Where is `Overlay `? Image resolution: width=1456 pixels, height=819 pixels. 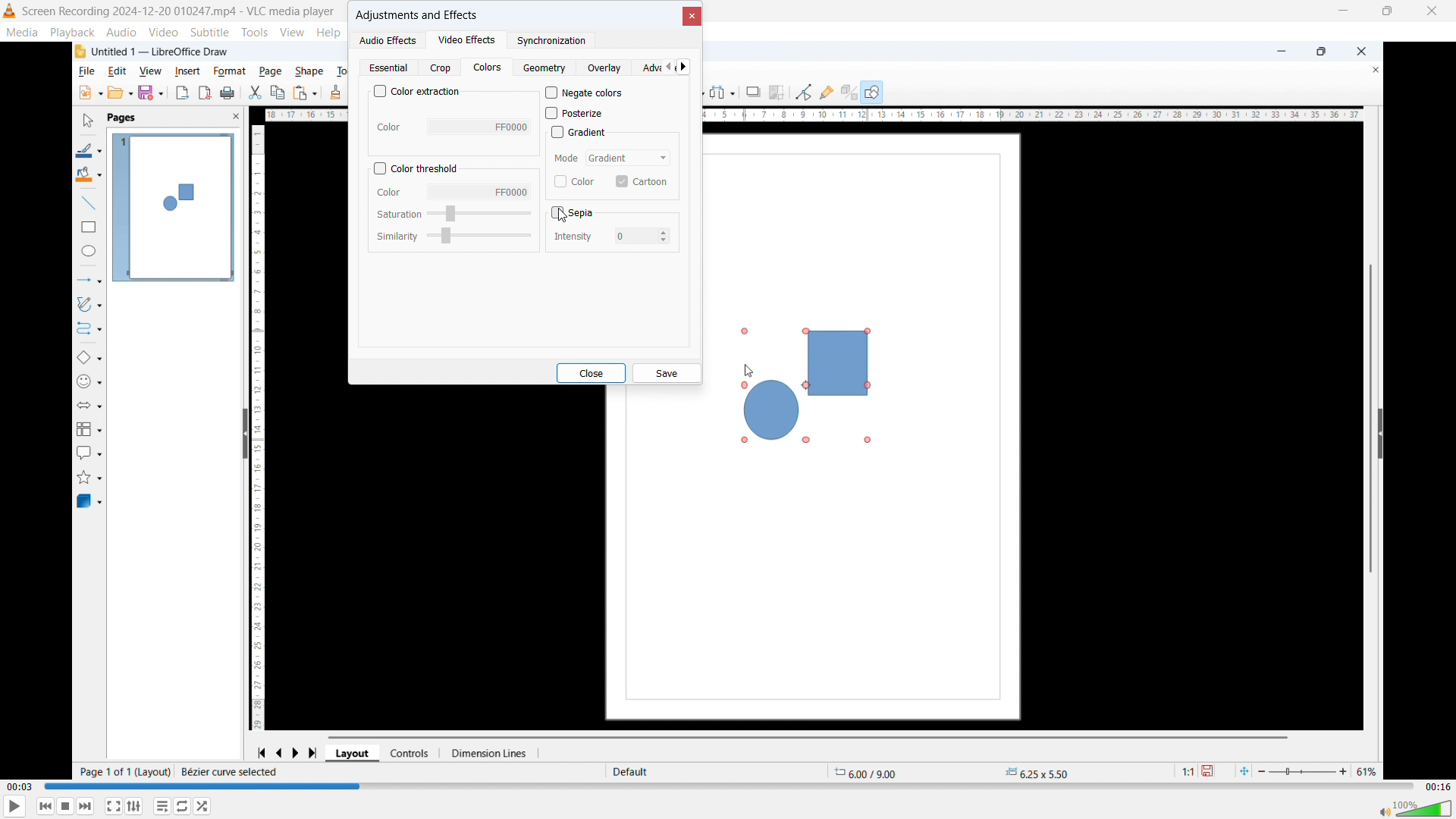
Overlay  is located at coordinates (604, 67).